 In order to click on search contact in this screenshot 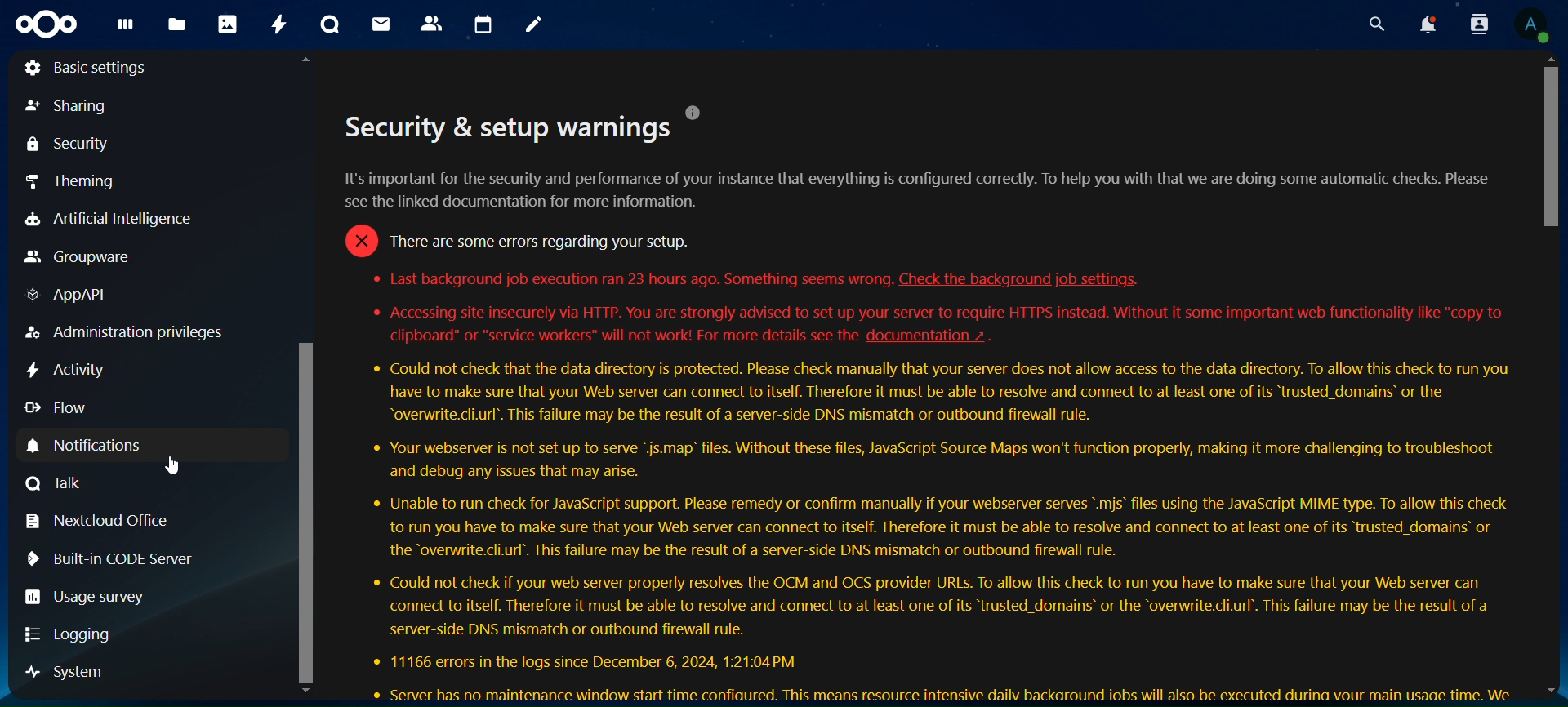, I will do `click(1477, 23)`.